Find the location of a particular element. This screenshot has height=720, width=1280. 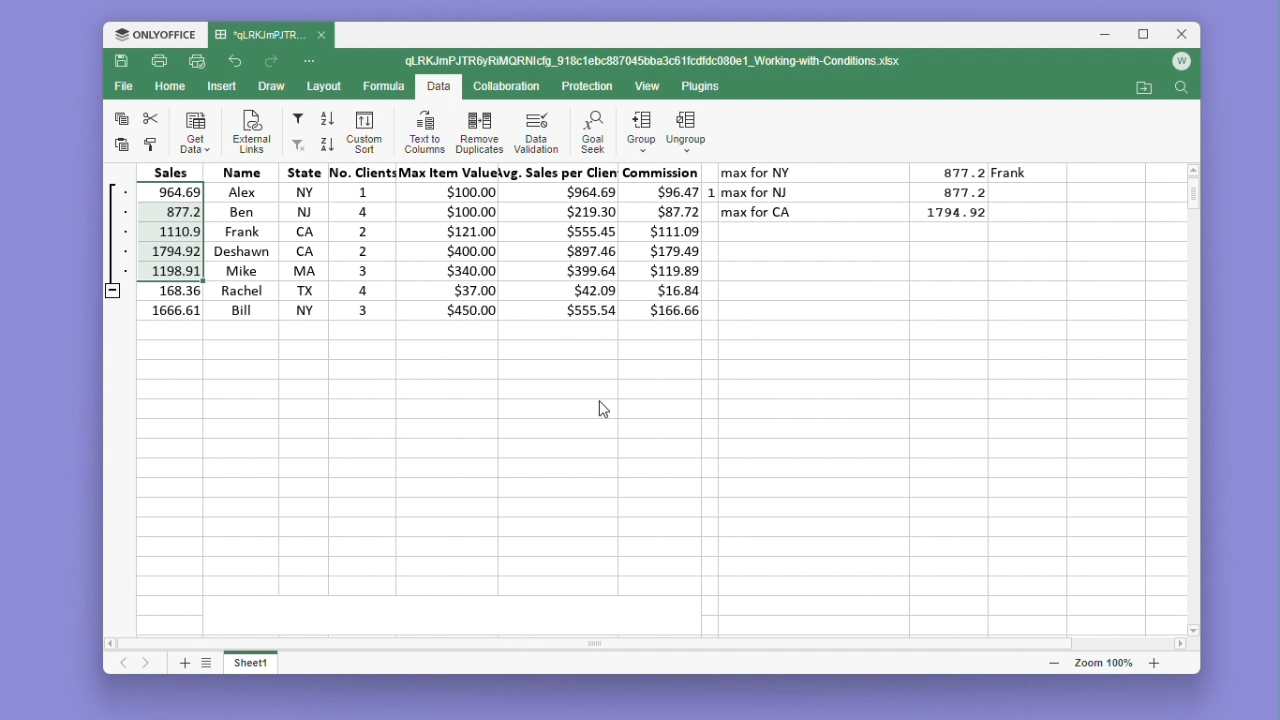

 is located at coordinates (647, 86).